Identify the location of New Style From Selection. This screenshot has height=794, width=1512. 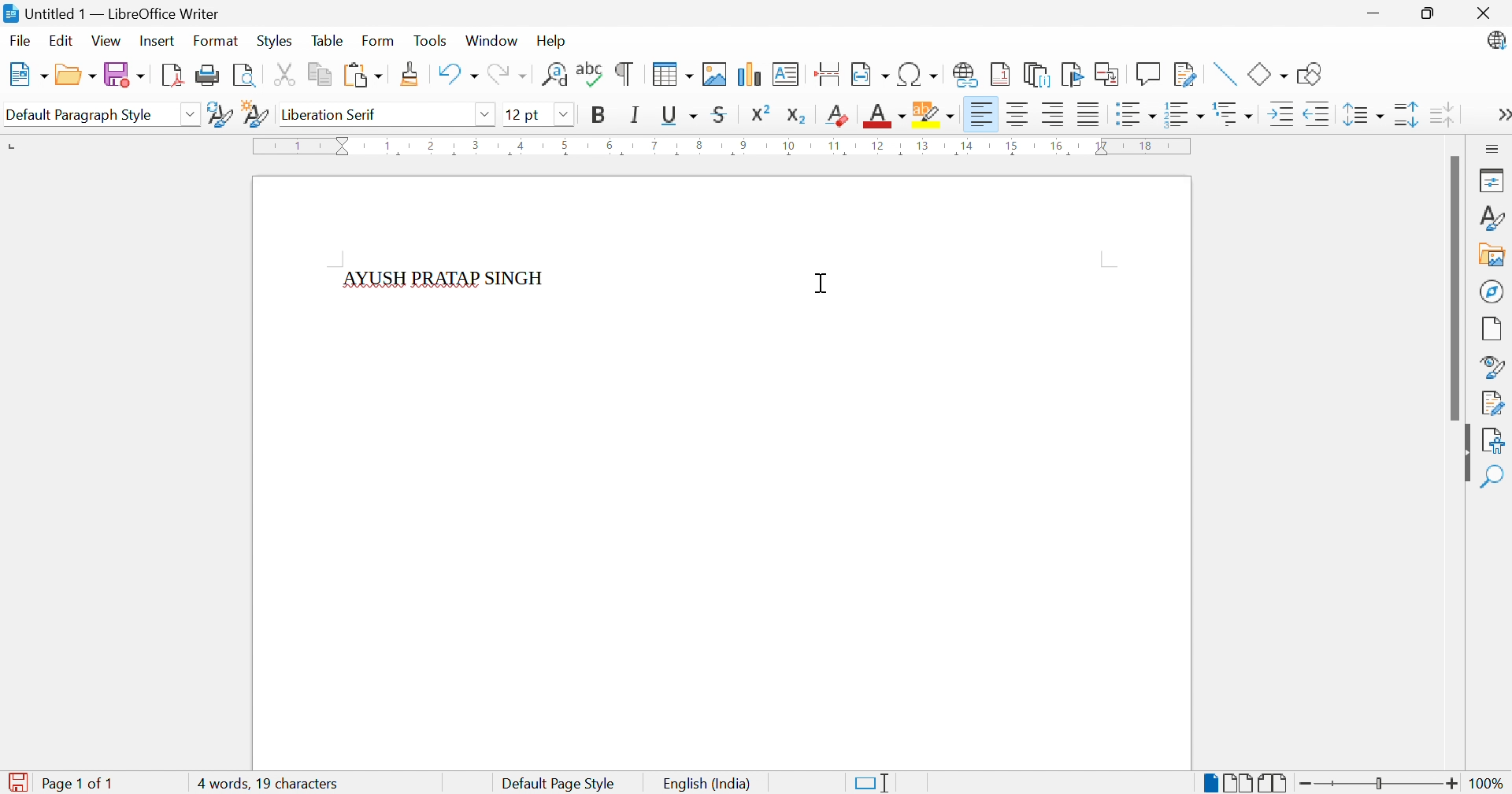
(258, 114).